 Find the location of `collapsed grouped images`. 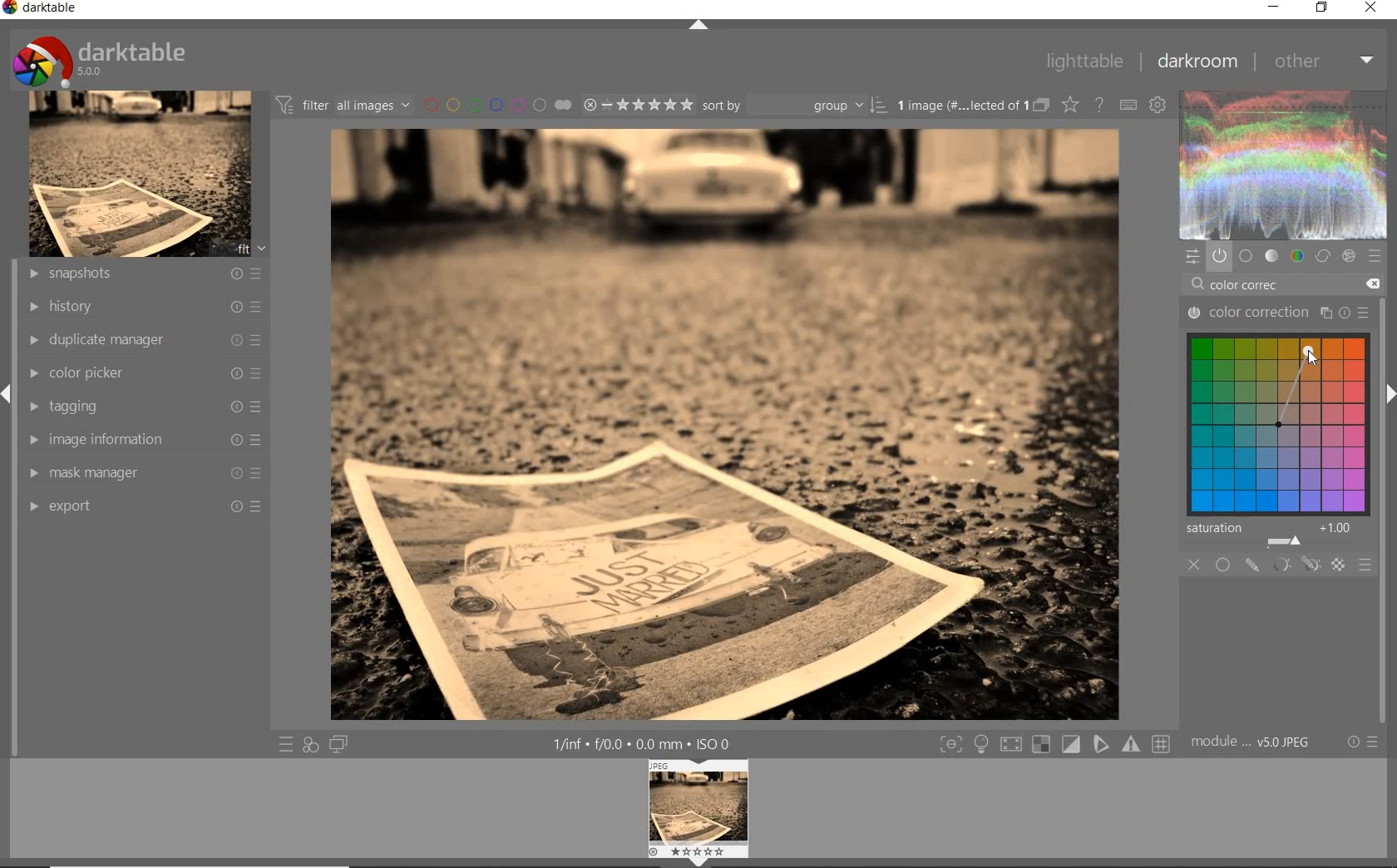

collapsed grouped images is located at coordinates (1042, 105).